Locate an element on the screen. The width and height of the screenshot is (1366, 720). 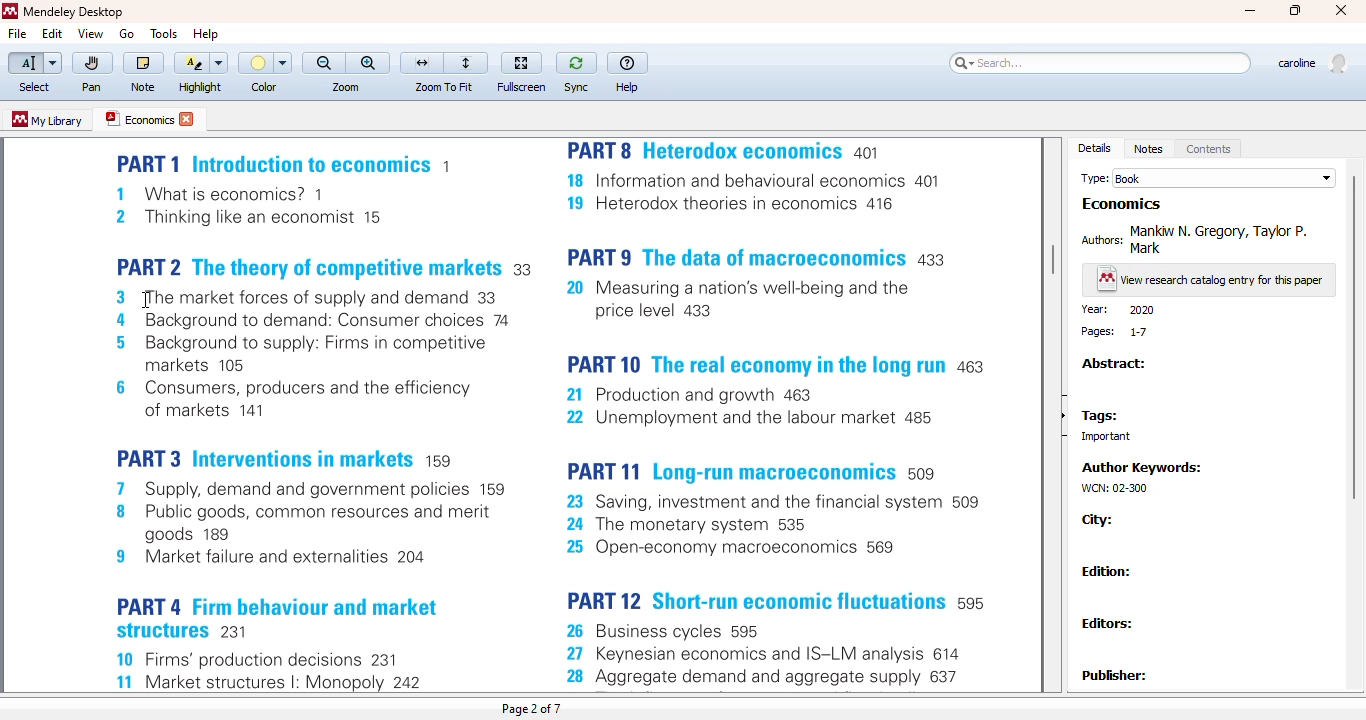
Note is located at coordinates (143, 89).